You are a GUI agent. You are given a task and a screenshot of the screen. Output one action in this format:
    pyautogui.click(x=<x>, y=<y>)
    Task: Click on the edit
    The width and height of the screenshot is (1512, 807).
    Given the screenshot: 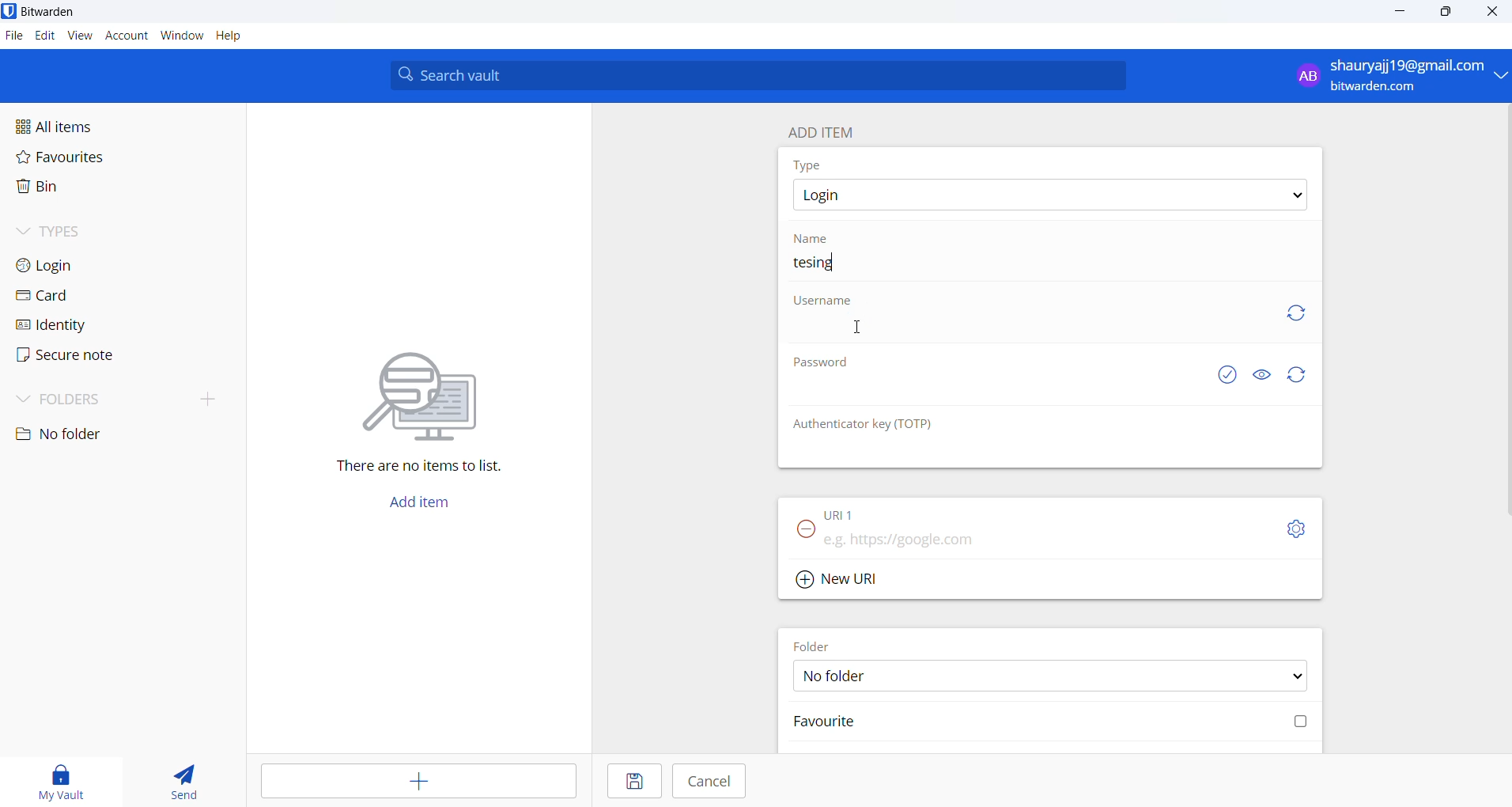 What is the action you would take?
    pyautogui.click(x=44, y=37)
    